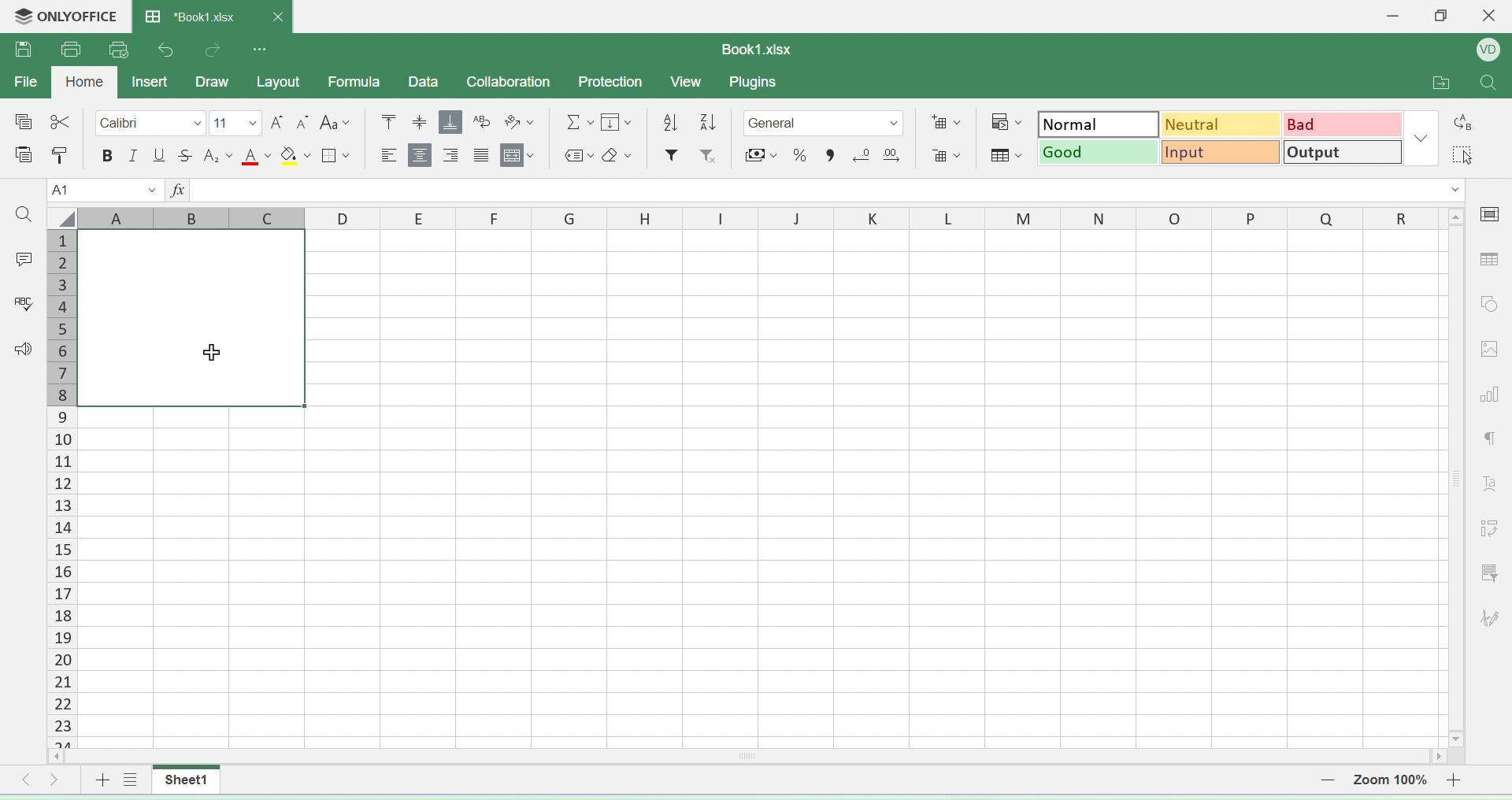  I want to click on close, so click(1492, 15).